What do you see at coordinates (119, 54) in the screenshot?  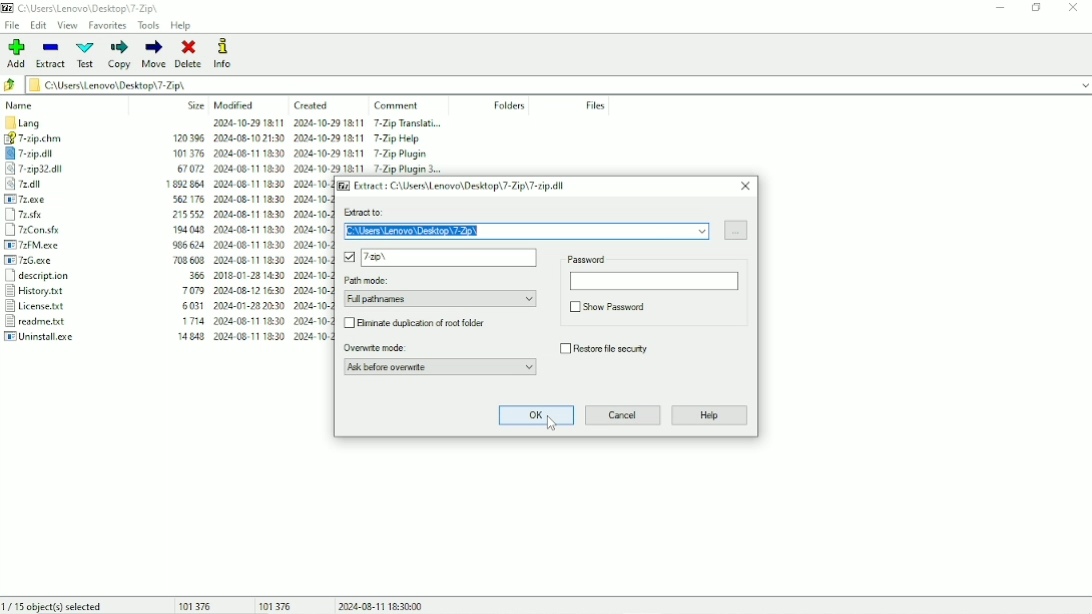 I see `Copy` at bounding box center [119, 54].